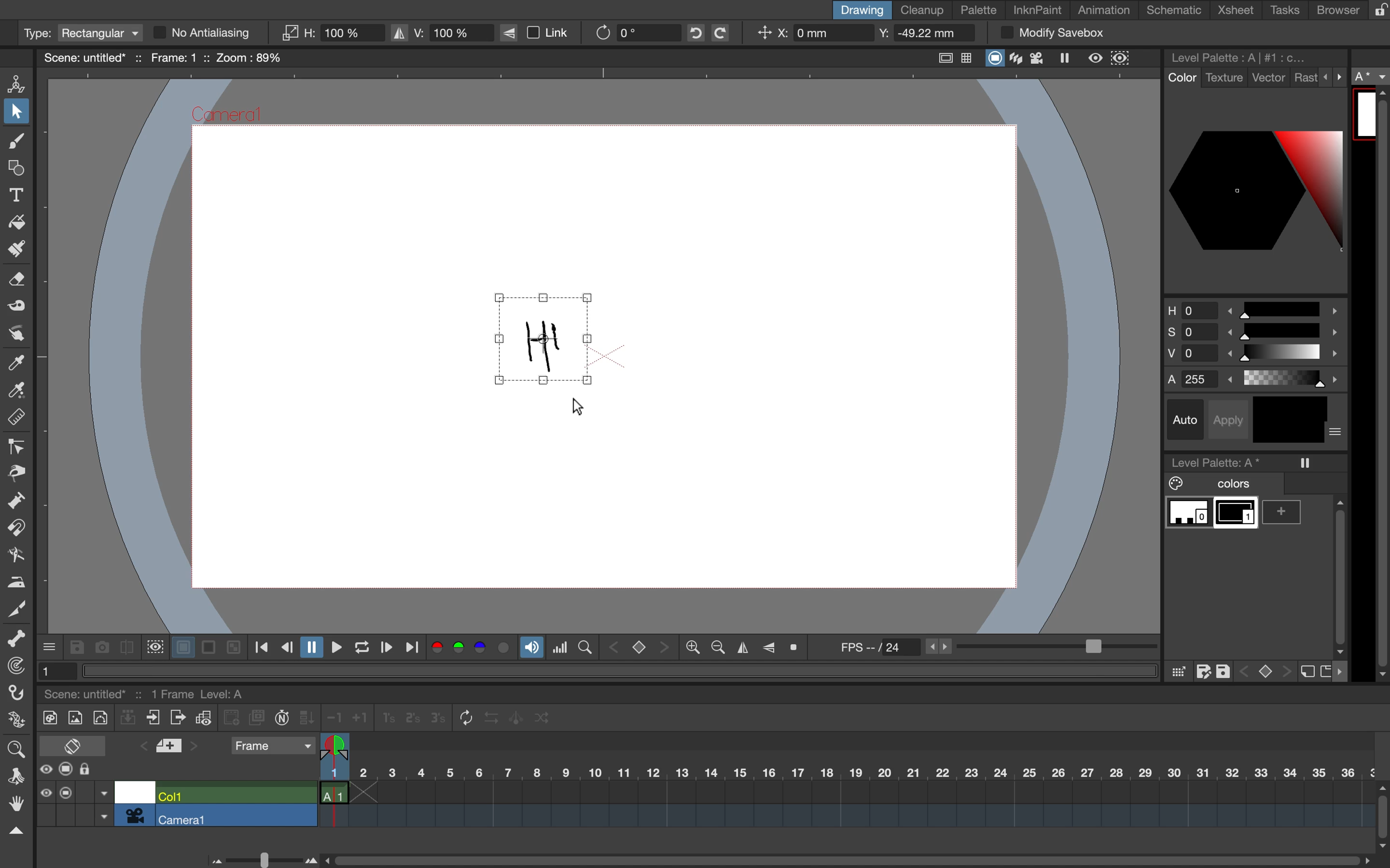 The width and height of the screenshot is (1390, 868). What do you see at coordinates (14, 308) in the screenshot?
I see `tape tool` at bounding box center [14, 308].